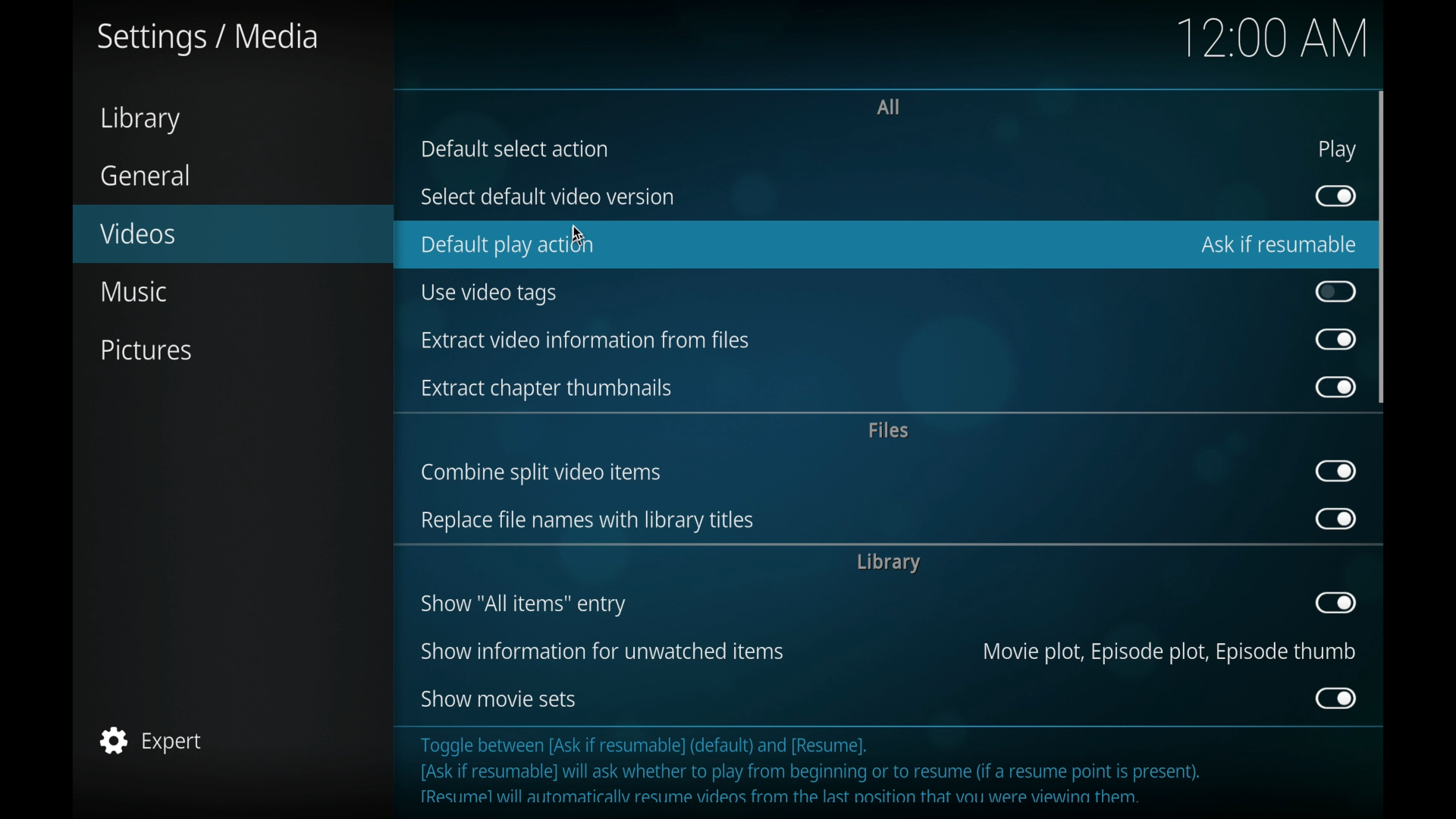 The image size is (1456, 819). I want to click on us video tags, so click(488, 295).